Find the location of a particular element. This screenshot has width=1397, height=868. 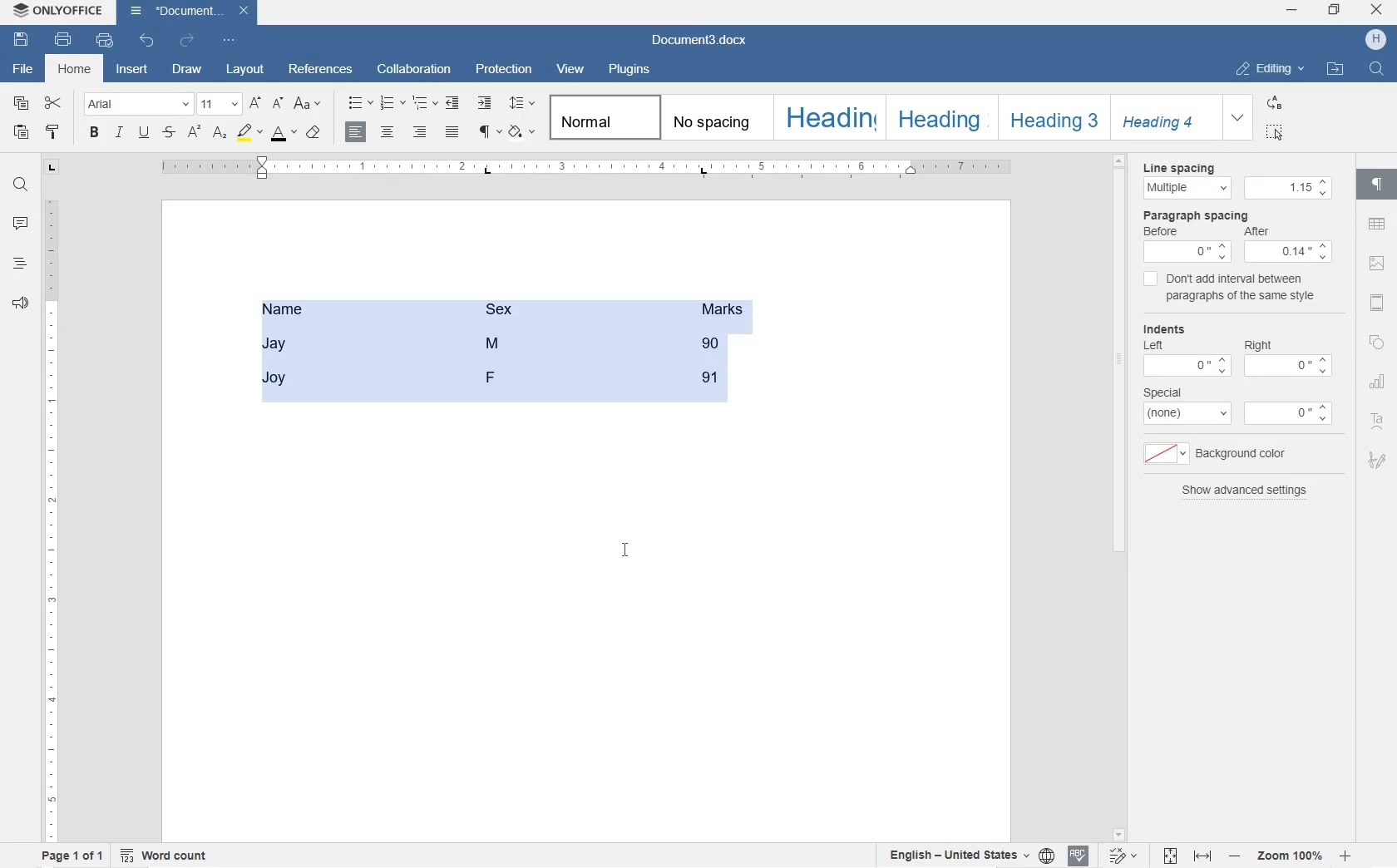

RULER is located at coordinates (593, 169).